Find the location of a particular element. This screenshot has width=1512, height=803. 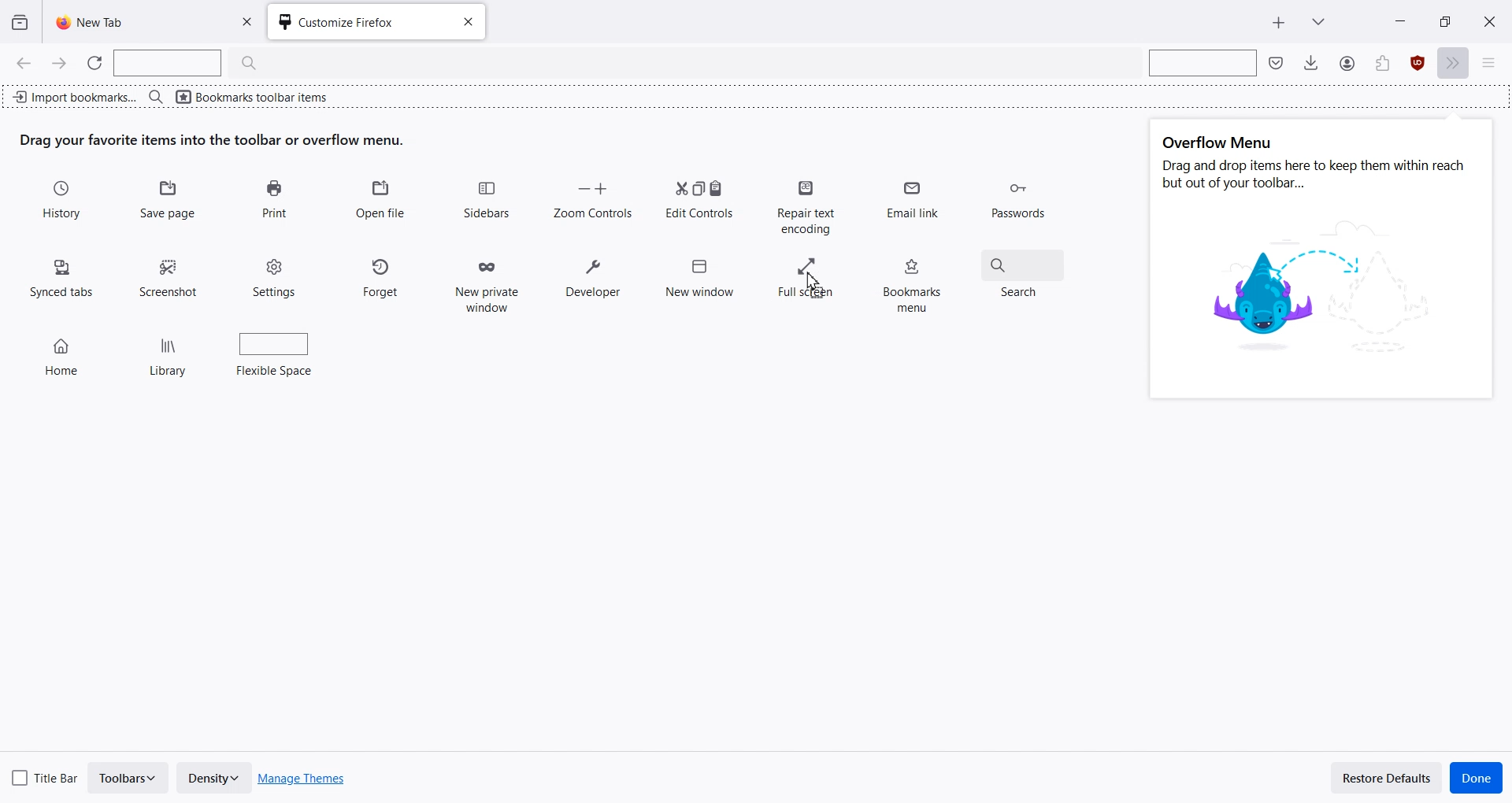

Restore Defaults is located at coordinates (1387, 777).